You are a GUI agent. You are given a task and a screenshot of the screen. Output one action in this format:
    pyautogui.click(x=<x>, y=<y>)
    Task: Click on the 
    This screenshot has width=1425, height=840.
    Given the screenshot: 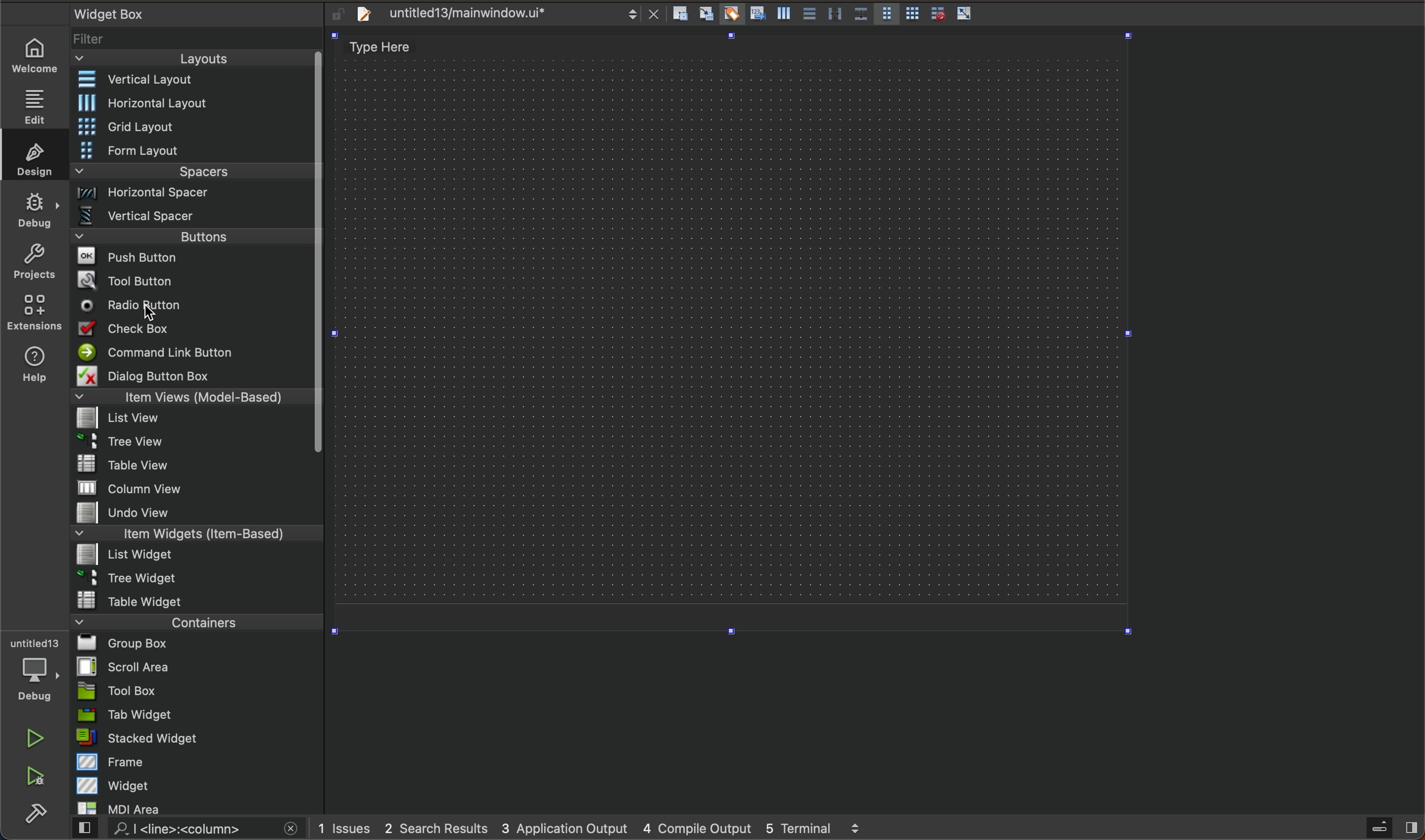 What is the action you would take?
    pyautogui.click(x=756, y=15)
    